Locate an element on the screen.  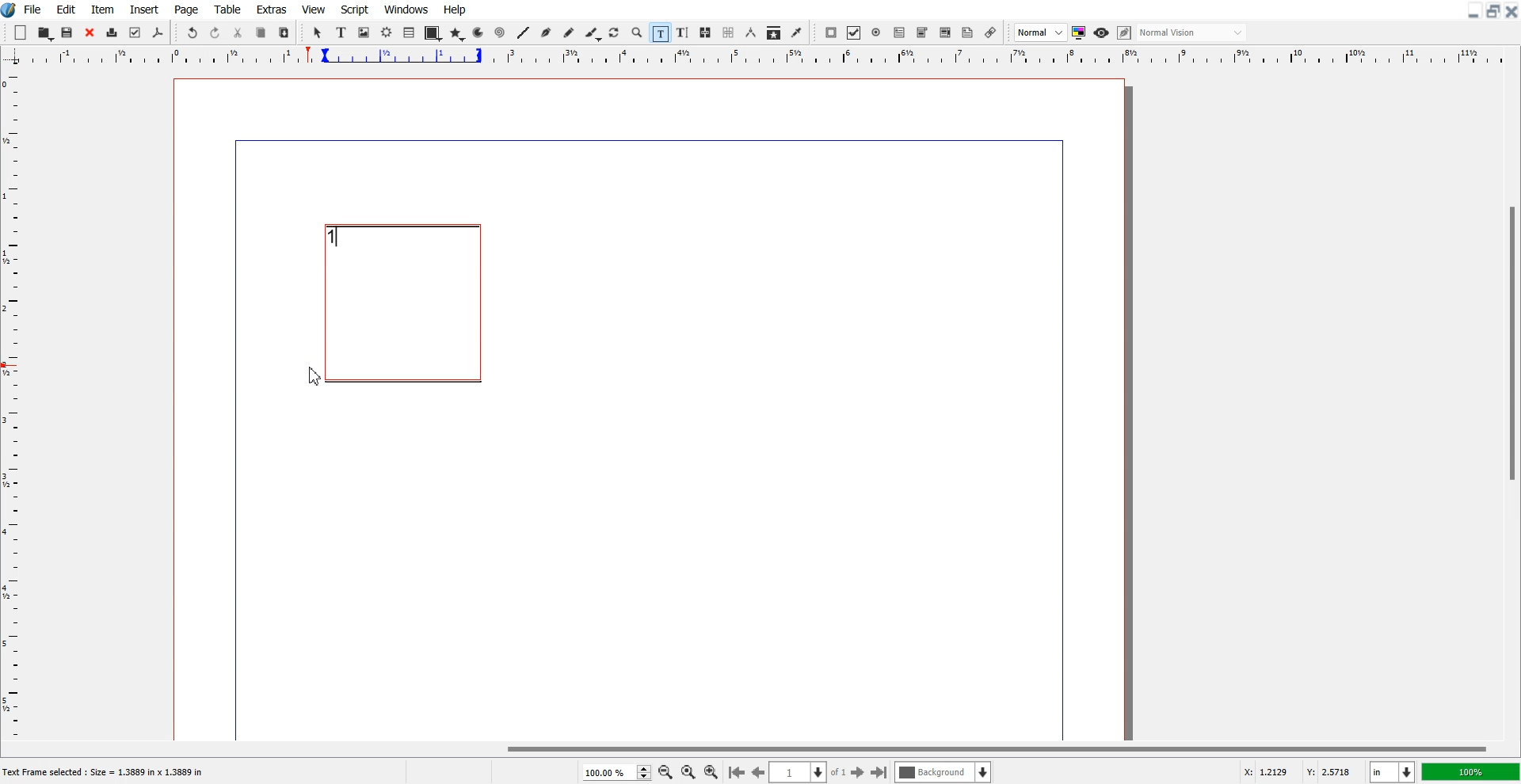
Go to next Page is located at coordinates (858, 773).